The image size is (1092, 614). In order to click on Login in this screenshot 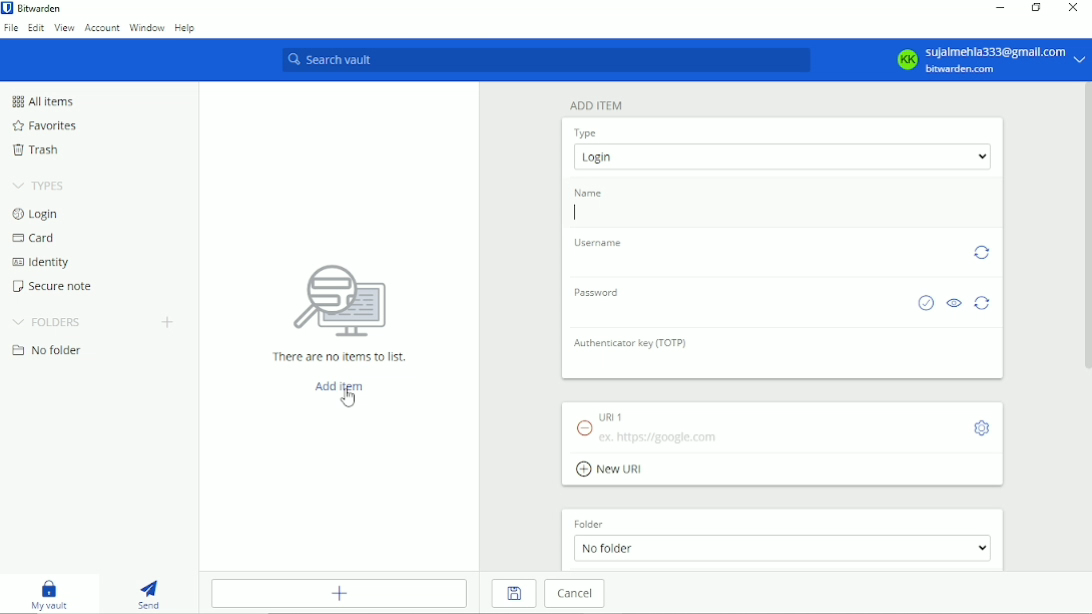, I will do `click(35, 215)`.